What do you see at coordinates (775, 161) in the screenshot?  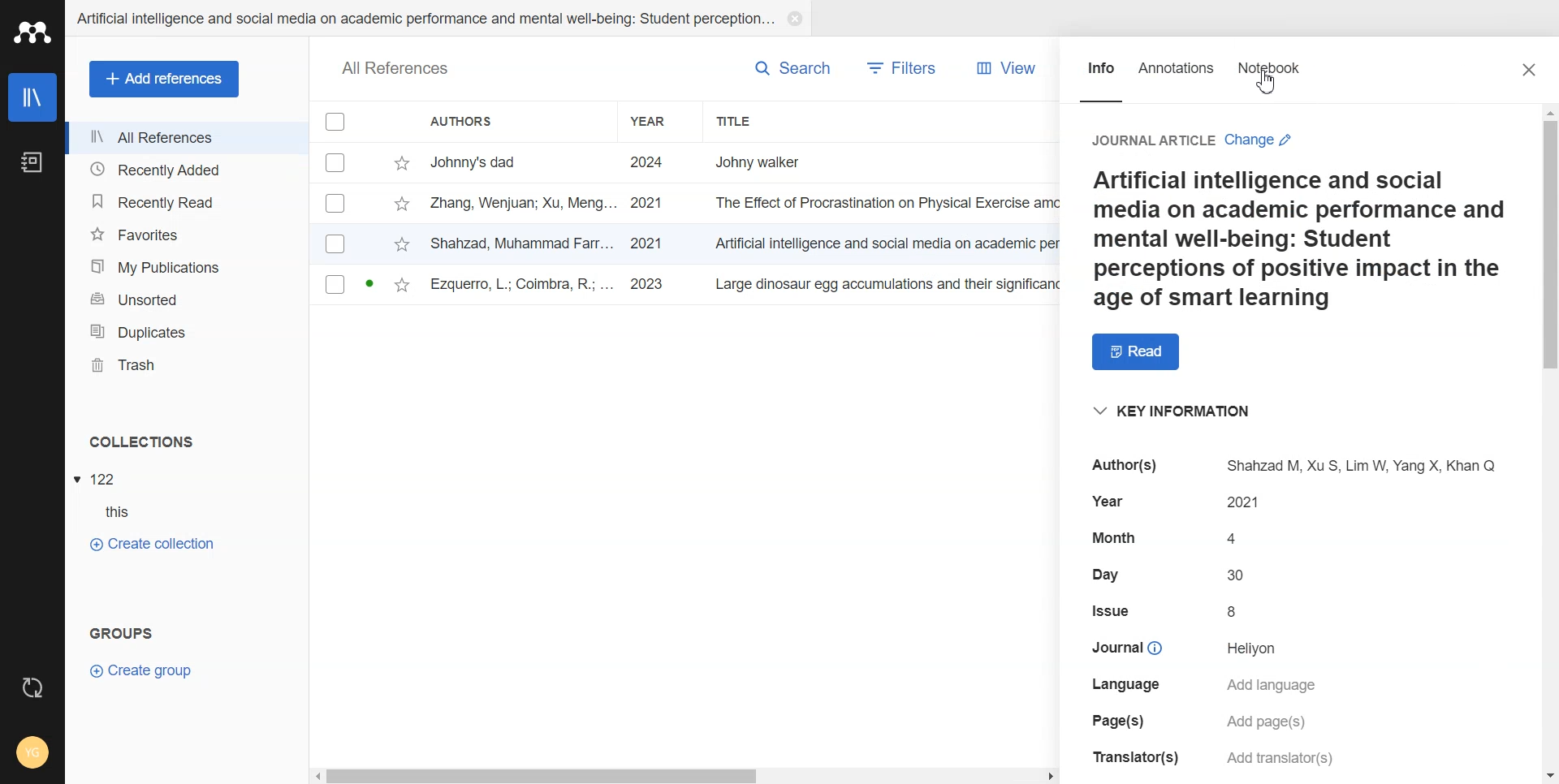 I see `Johny walker` at bounding box center [775, 161].